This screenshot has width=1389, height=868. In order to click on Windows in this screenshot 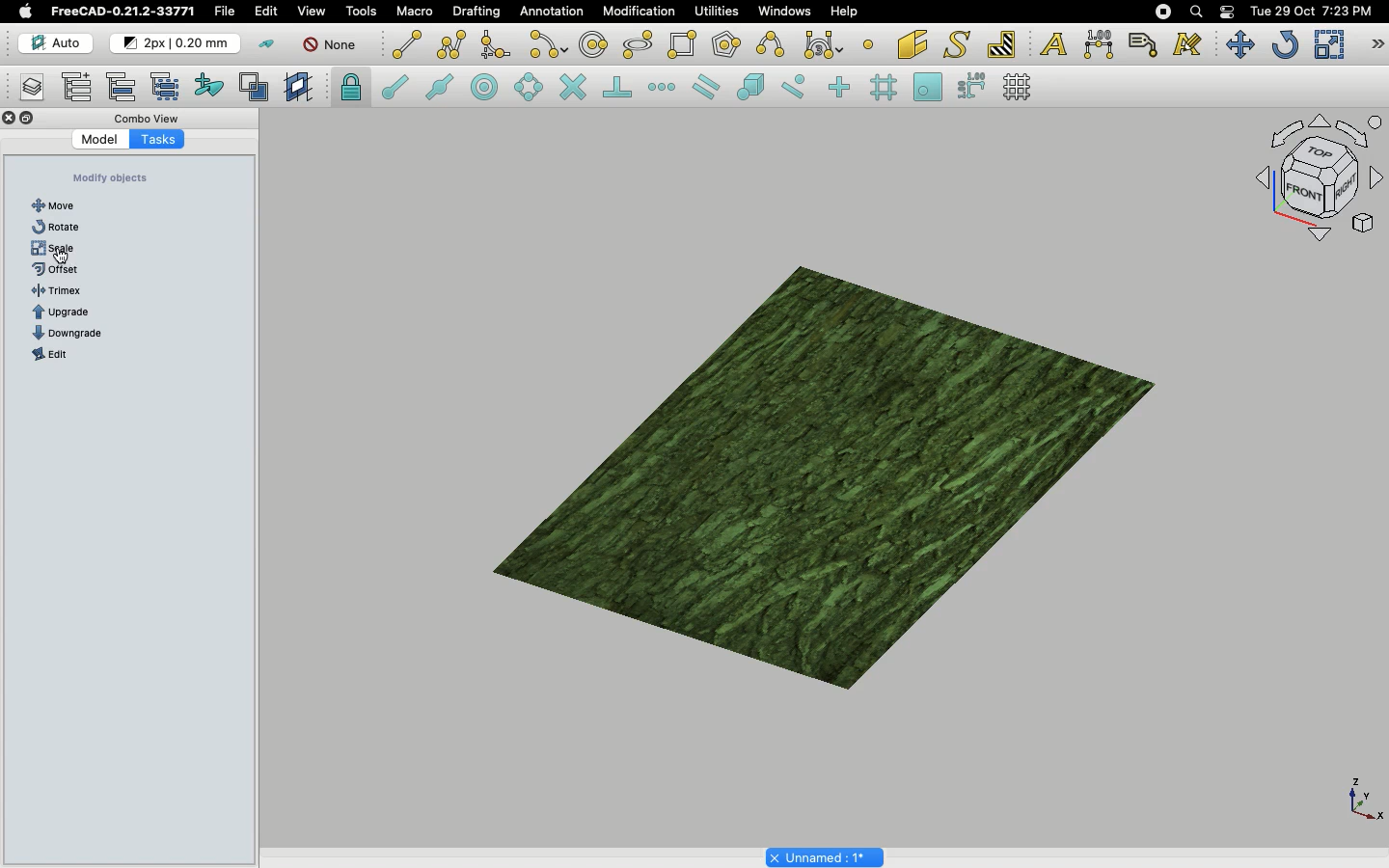, I will do `click(782, 12)`.